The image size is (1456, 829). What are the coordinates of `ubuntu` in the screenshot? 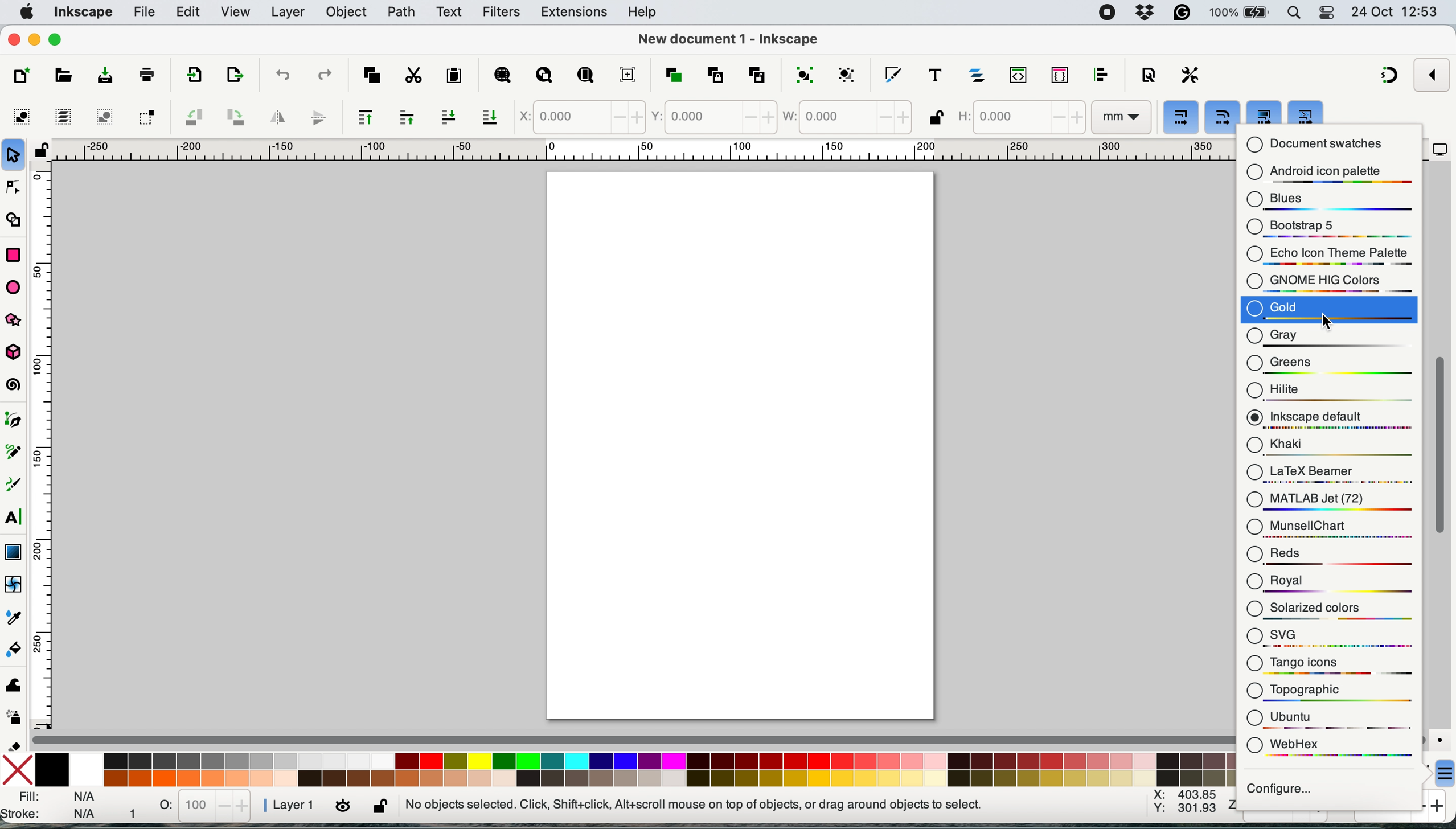 It's located at (1332, 721).